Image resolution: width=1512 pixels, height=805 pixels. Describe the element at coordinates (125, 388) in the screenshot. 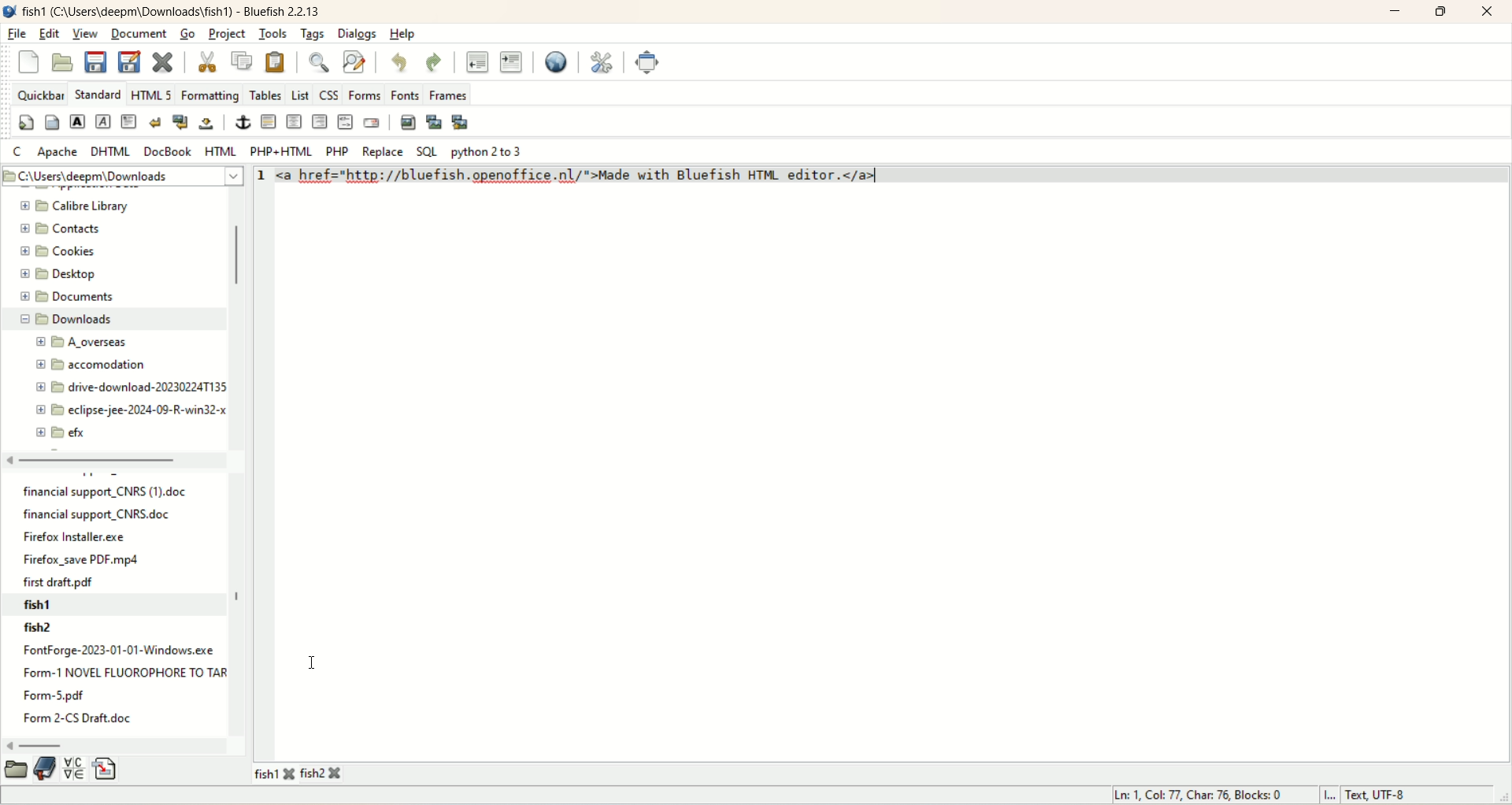

I see `drive` at that location.